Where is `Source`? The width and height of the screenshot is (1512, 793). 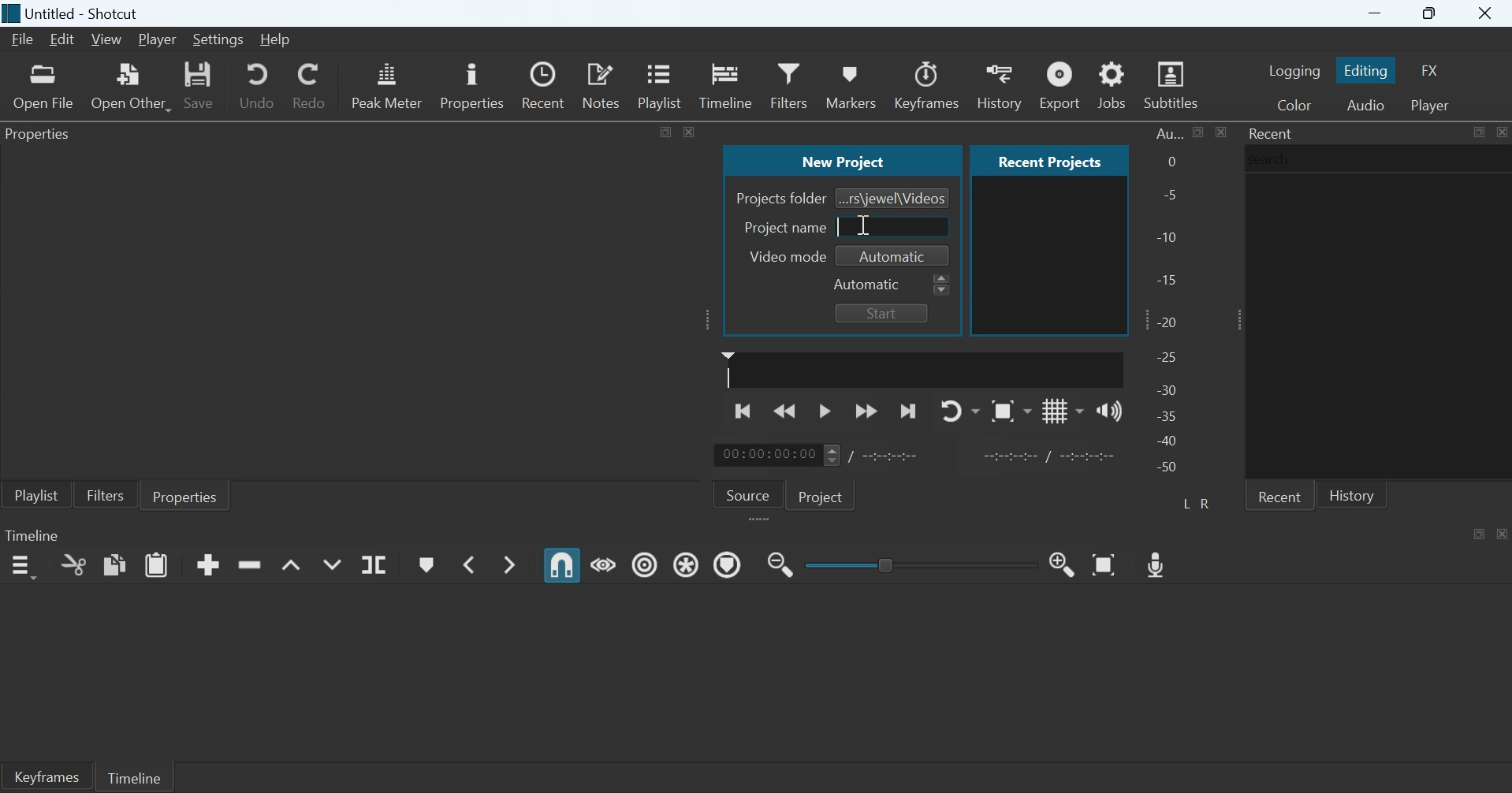
Source is located at coordinates (748, 493).